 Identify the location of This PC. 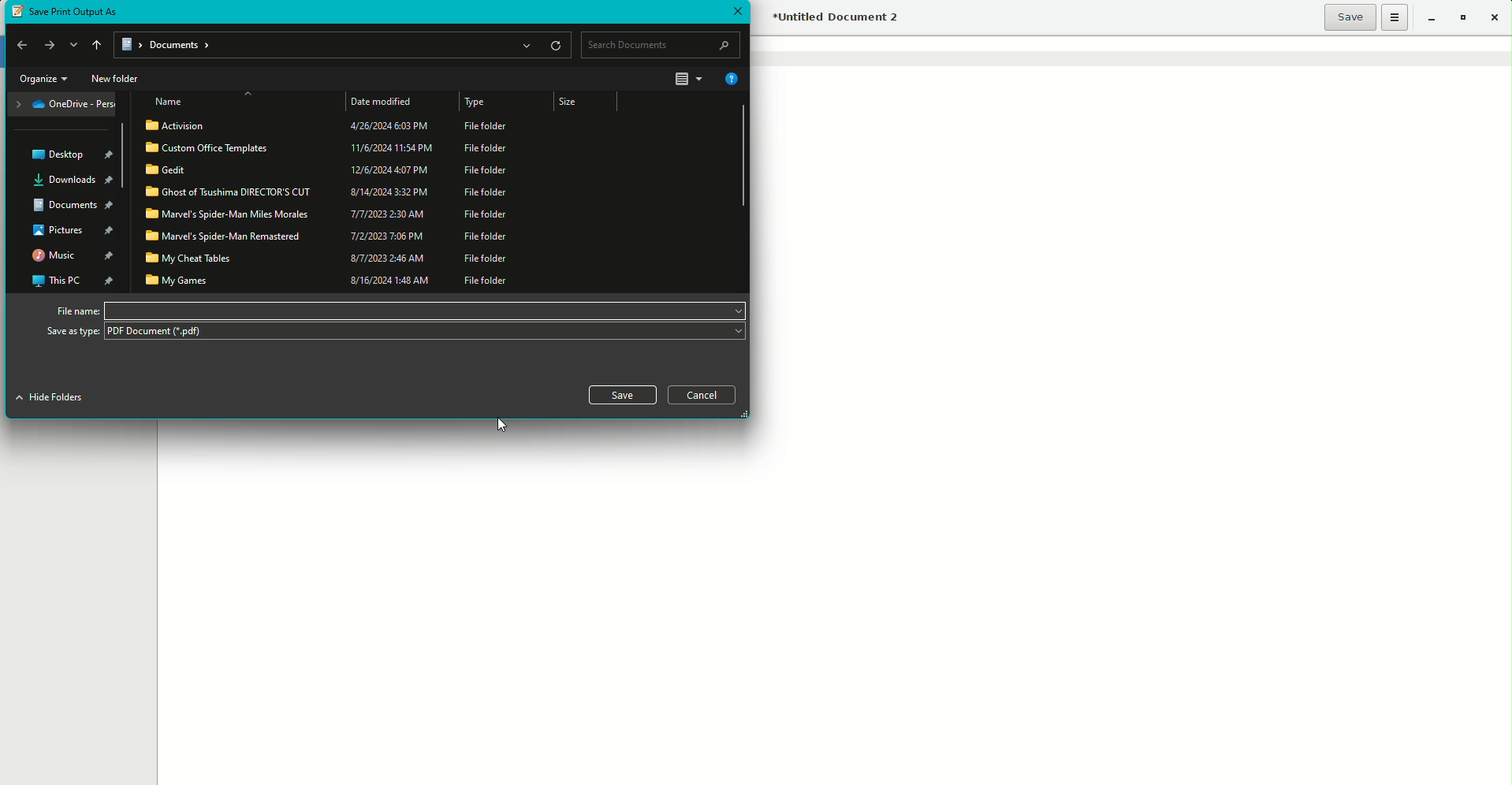
(72, 279).